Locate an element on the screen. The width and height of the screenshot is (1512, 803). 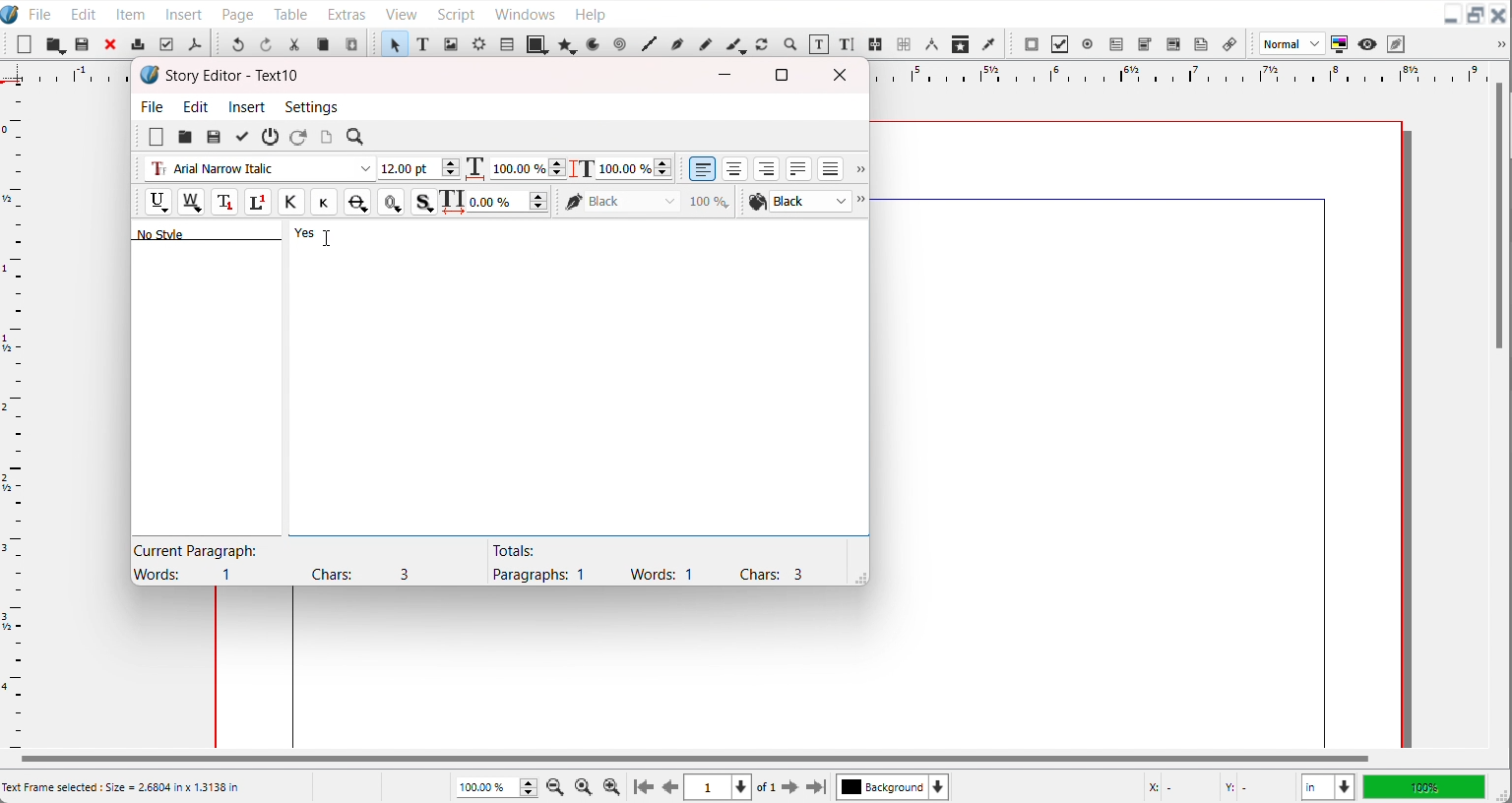
Minimize is located at coordinates (1451, 16).